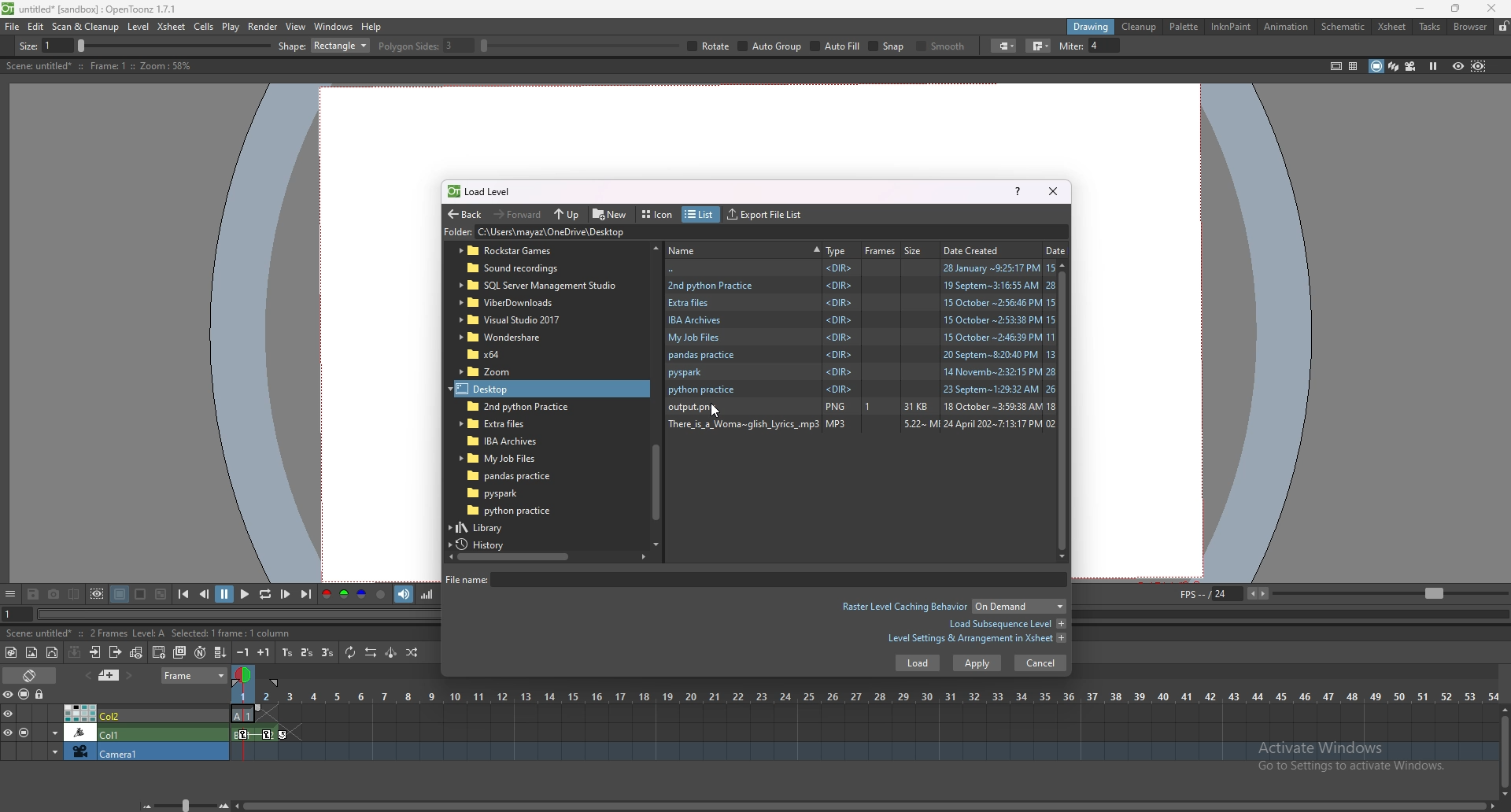 The width and height of the screenshot is (1511, 812). What do you see at coordinates (860, 338) in the screenshot?
I see `folder` at bounding box center [860, 338].